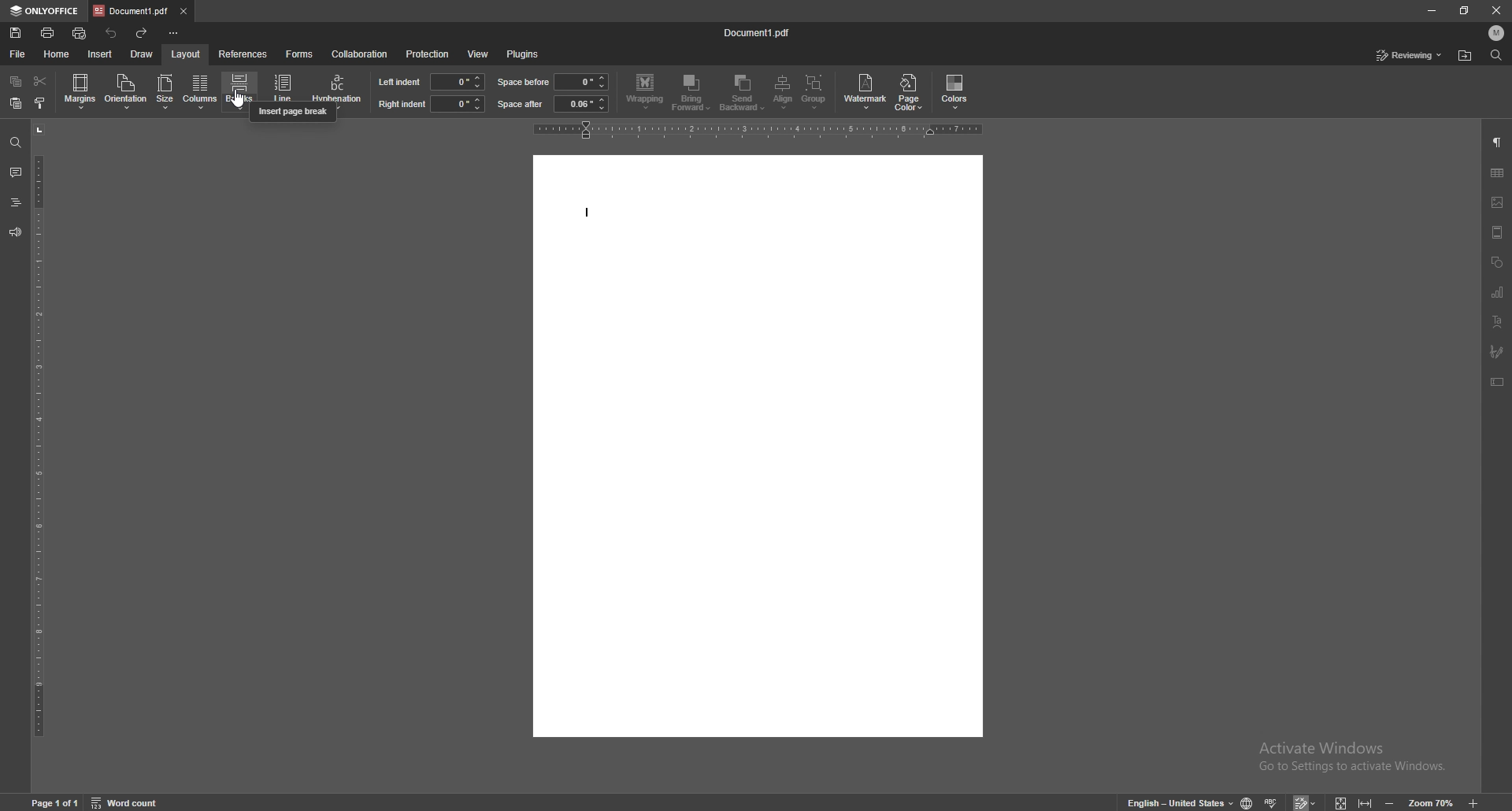 The height and width of the screenshot is (811, 1512). Describe the element at coordinates (282, 86) in the screenshot. I see `Line` at that location.